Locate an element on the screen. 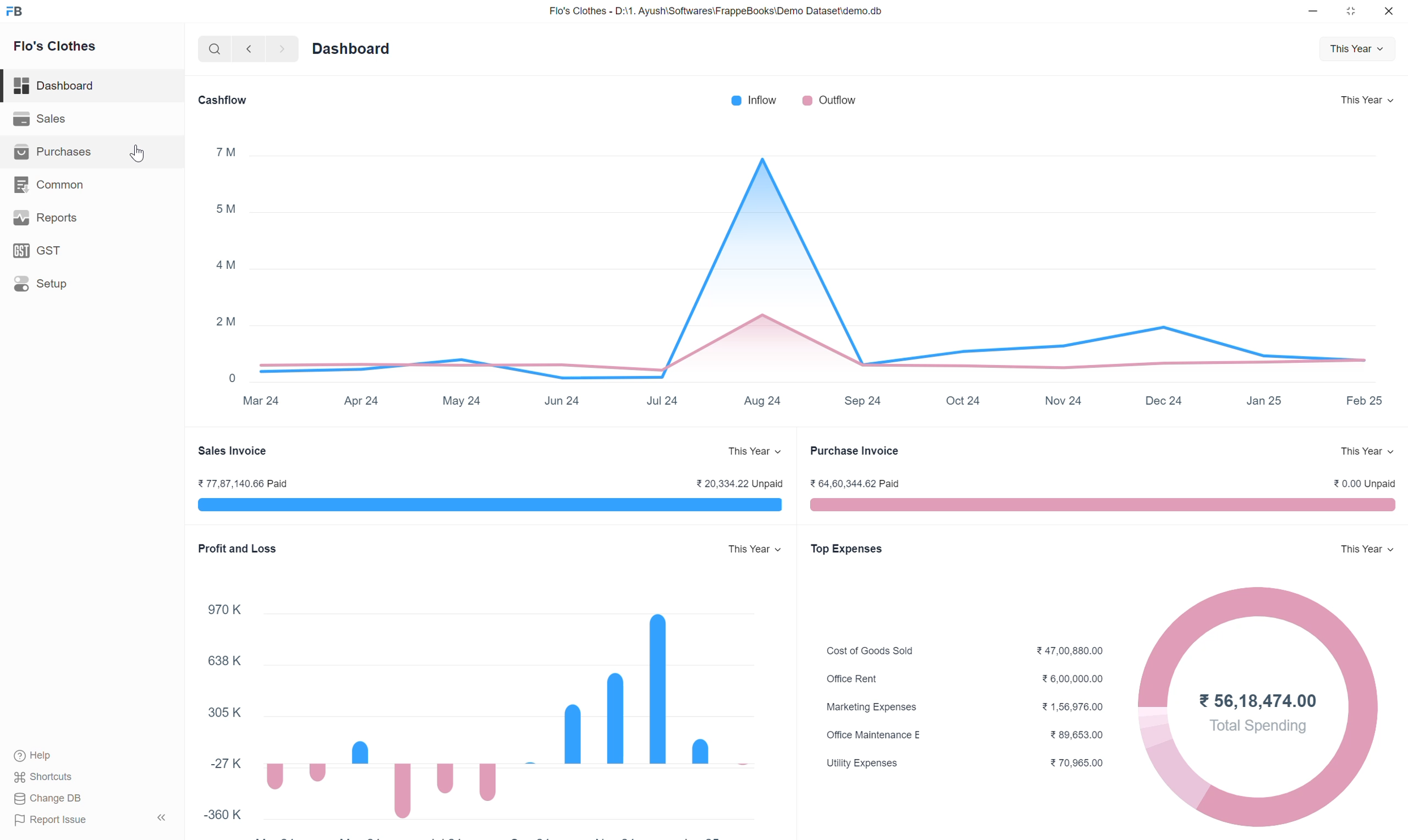 The image size is (1408, 840). back is located at coordinates (249, 49).